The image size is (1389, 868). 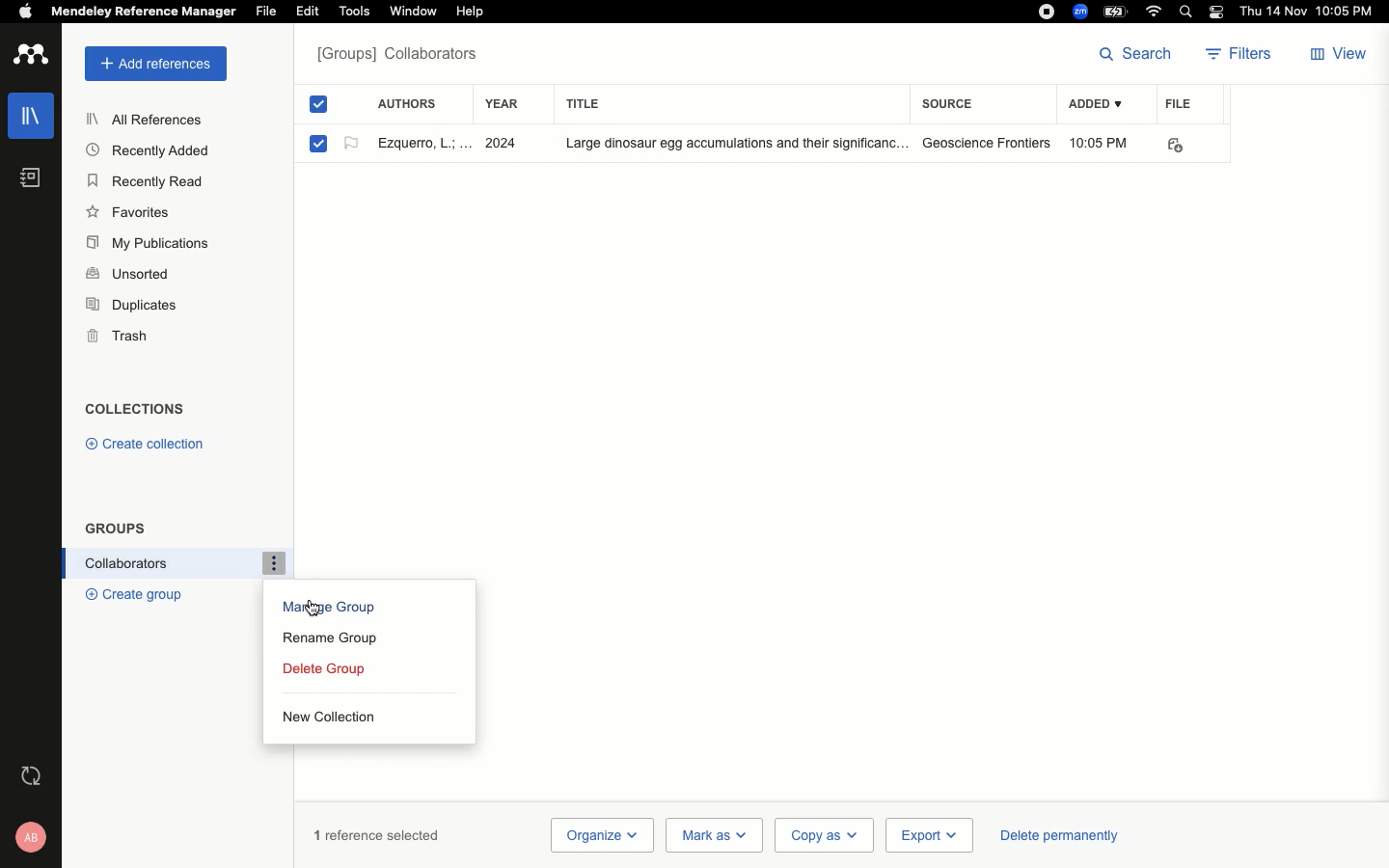 What do you see at coordinates (273, 561) in the screenshot?
I see ` more actions` at bounding box center [273, 561].